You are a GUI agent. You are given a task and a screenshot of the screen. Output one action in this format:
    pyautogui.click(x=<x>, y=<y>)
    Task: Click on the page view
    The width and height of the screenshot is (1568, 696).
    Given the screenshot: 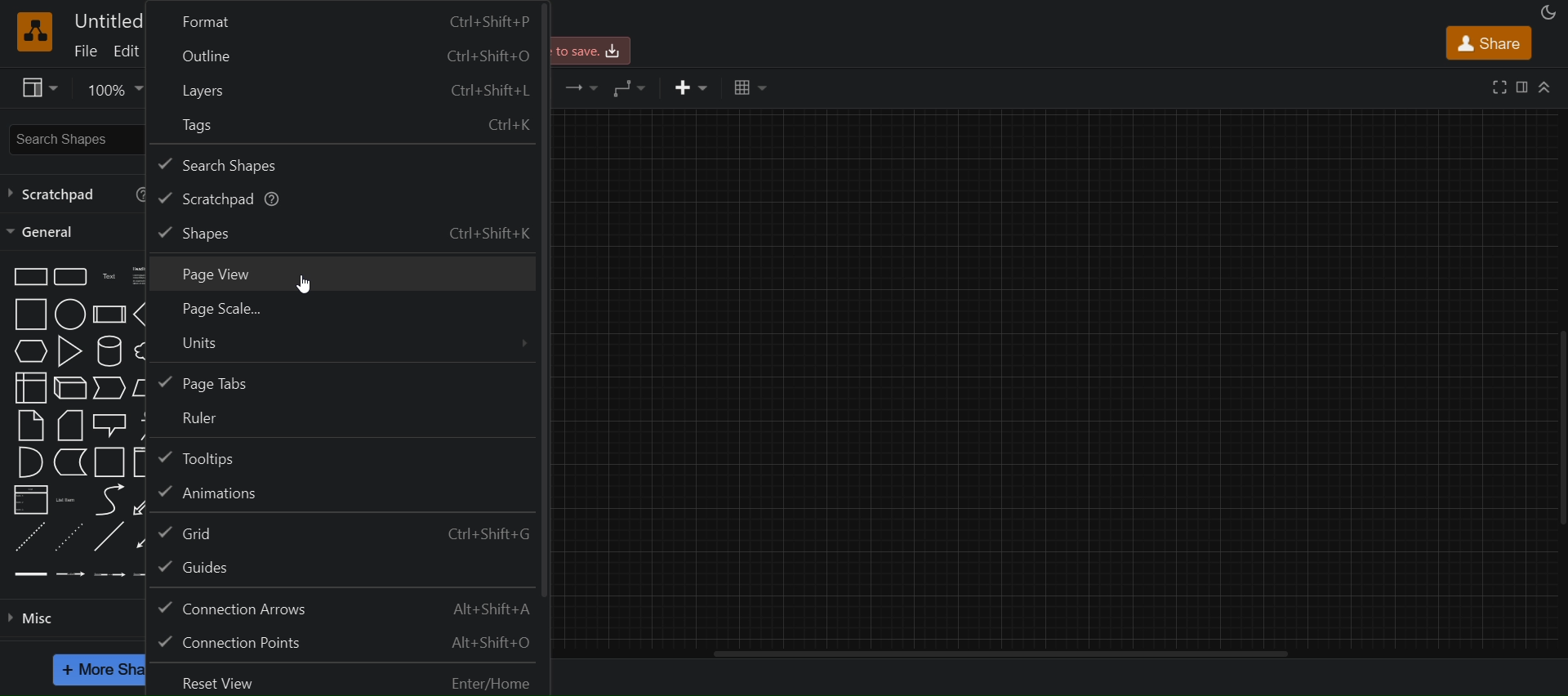 What is the action you would take?
    pyautogui.click(x=346, y=273)
    